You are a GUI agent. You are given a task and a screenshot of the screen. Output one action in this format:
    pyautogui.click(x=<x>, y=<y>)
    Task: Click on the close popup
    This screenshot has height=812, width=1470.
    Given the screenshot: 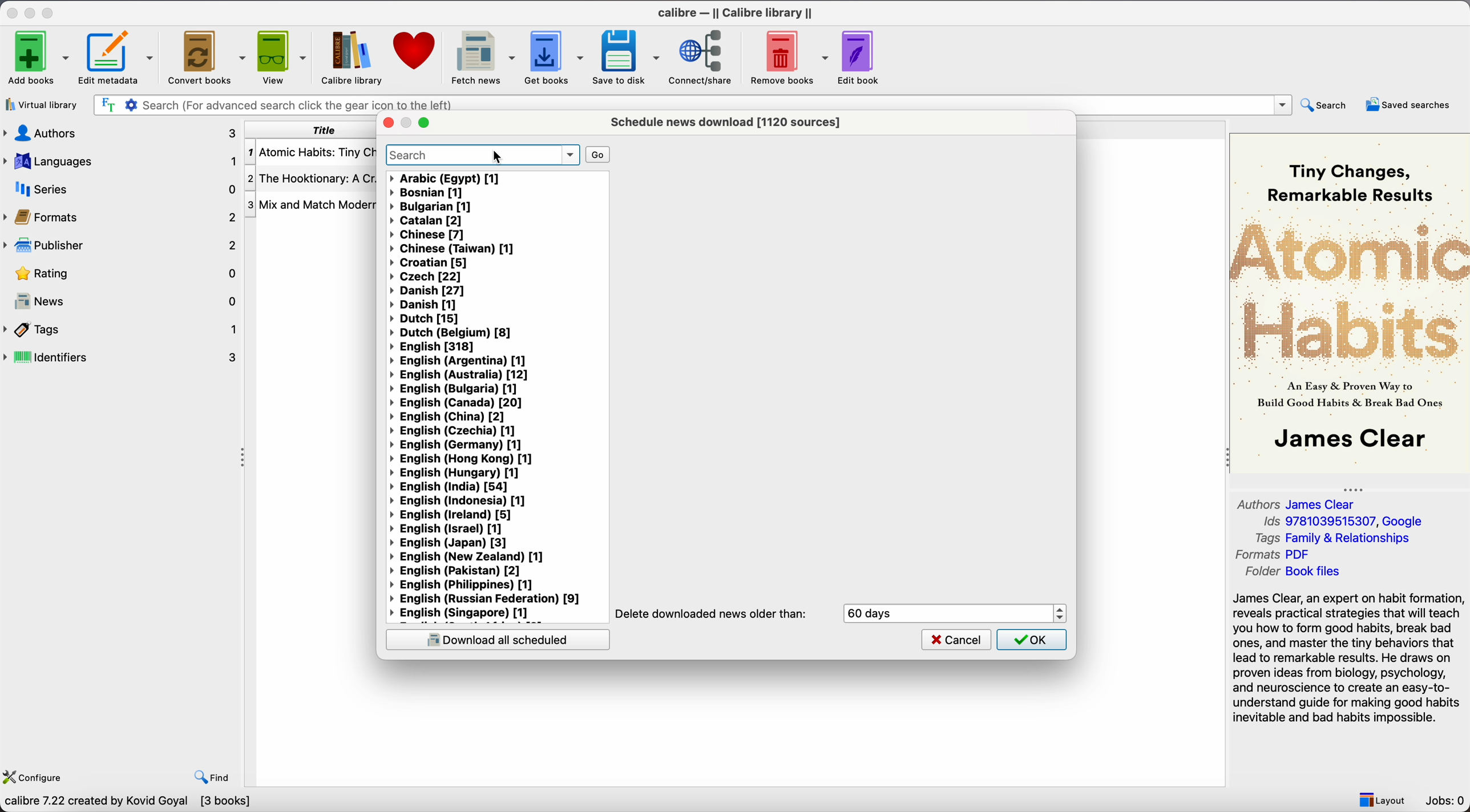 What is the action you would take?
    pyautogui.click(x=387, y=123)
    